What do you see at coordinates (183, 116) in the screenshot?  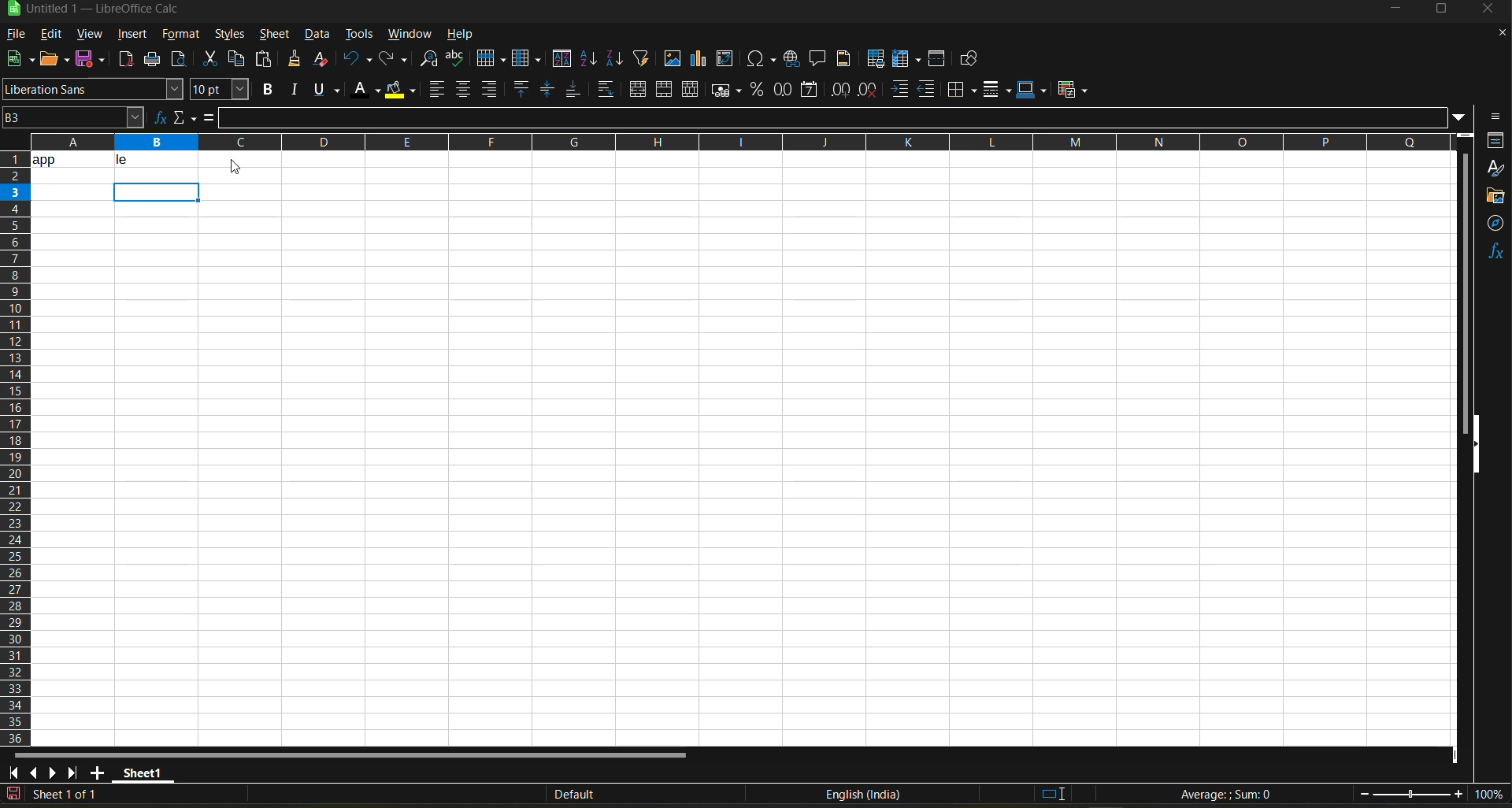 I see `select function` at bounding box center [183, 116].